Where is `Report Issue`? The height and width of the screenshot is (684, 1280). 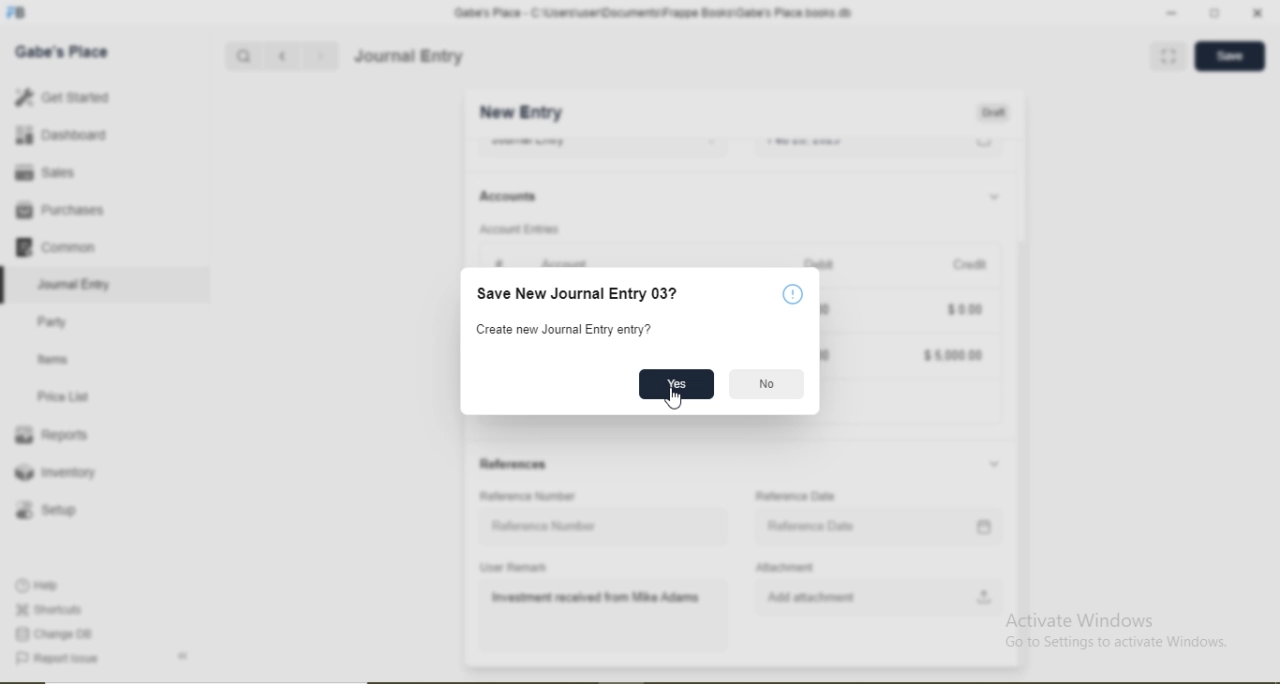
Report Issue is located at coordinates (56, 659).